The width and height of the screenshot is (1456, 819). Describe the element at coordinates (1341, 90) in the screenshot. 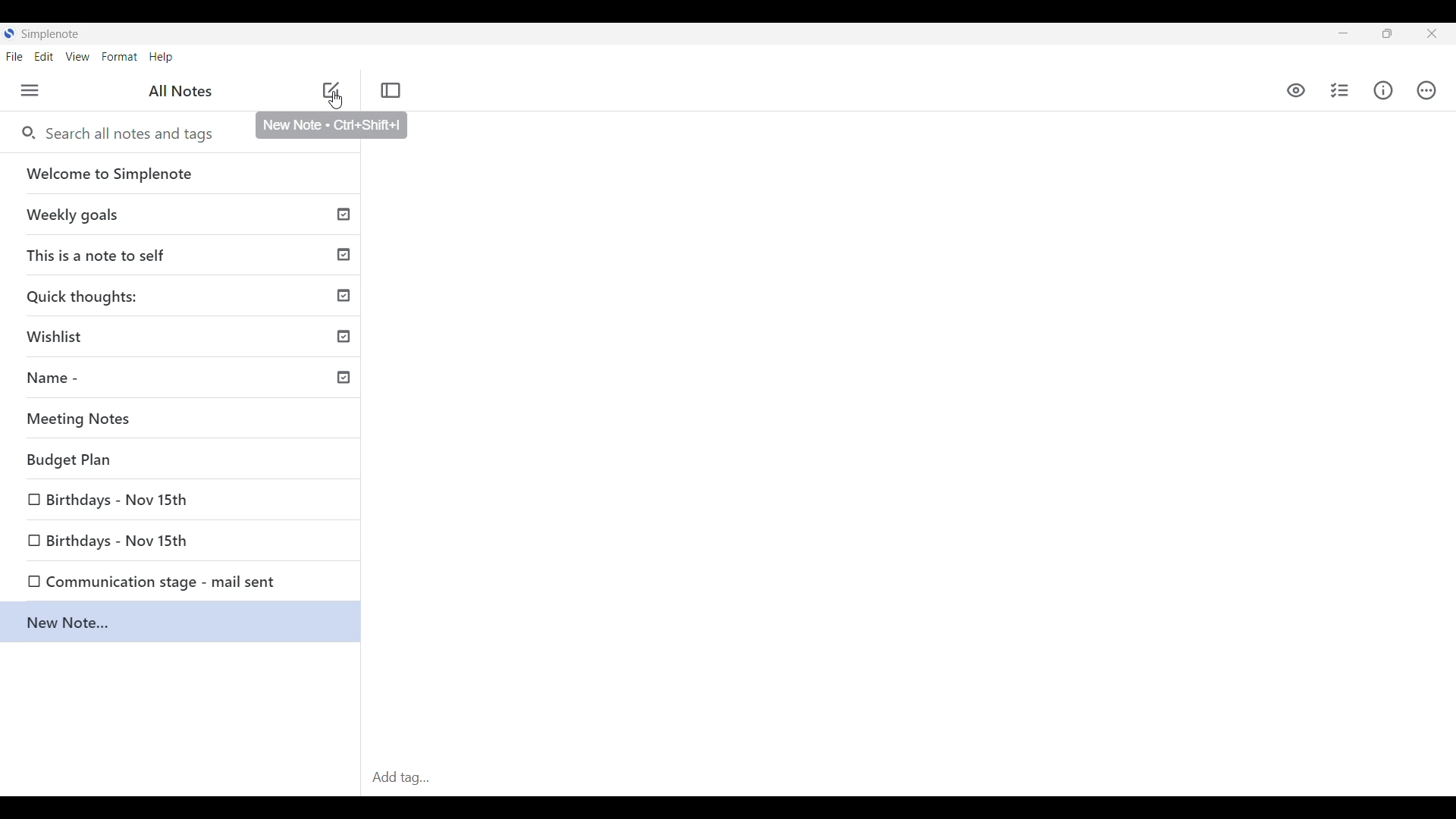

I see `Click to insert checklist` at that location.